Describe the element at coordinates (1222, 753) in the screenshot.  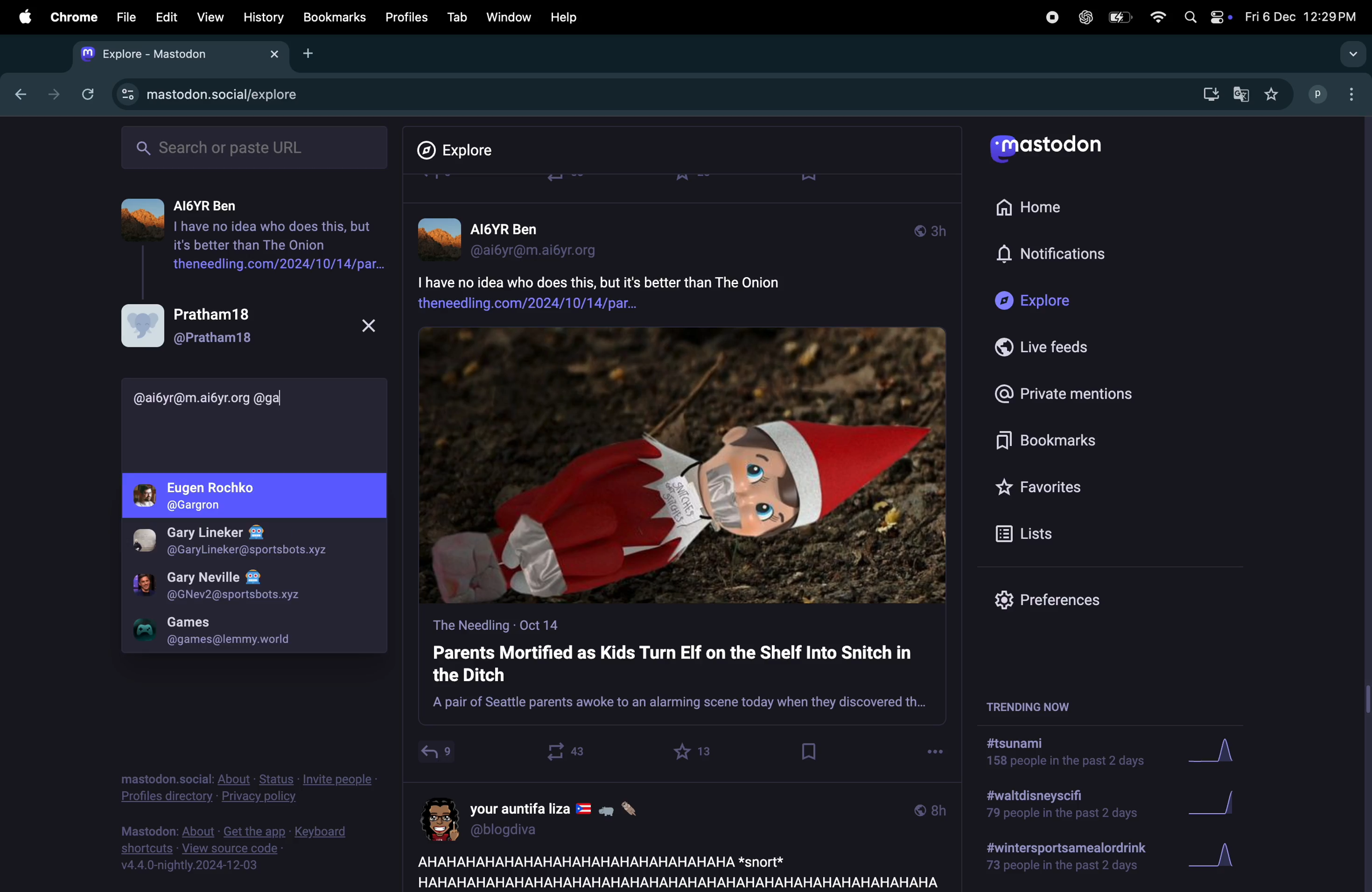
I see `graph` at that location.